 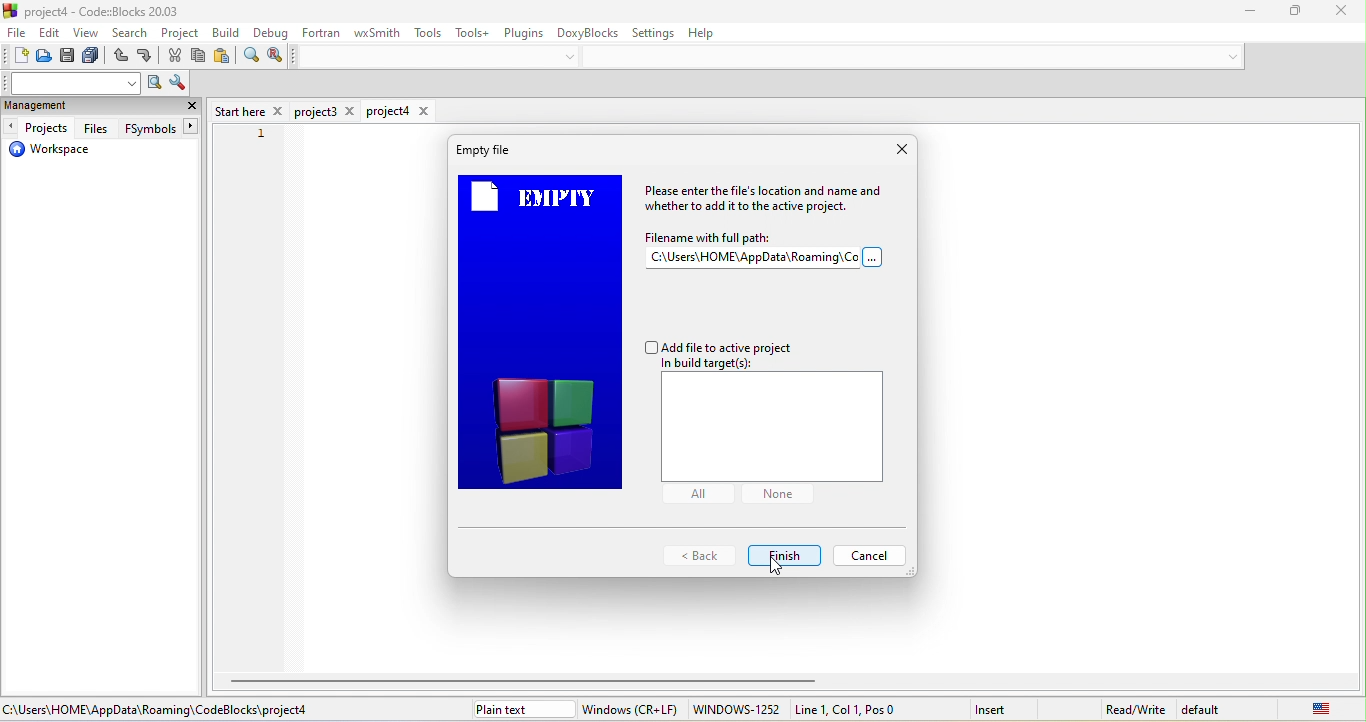 I want to click on Cancel, so click(x=869, y=555).